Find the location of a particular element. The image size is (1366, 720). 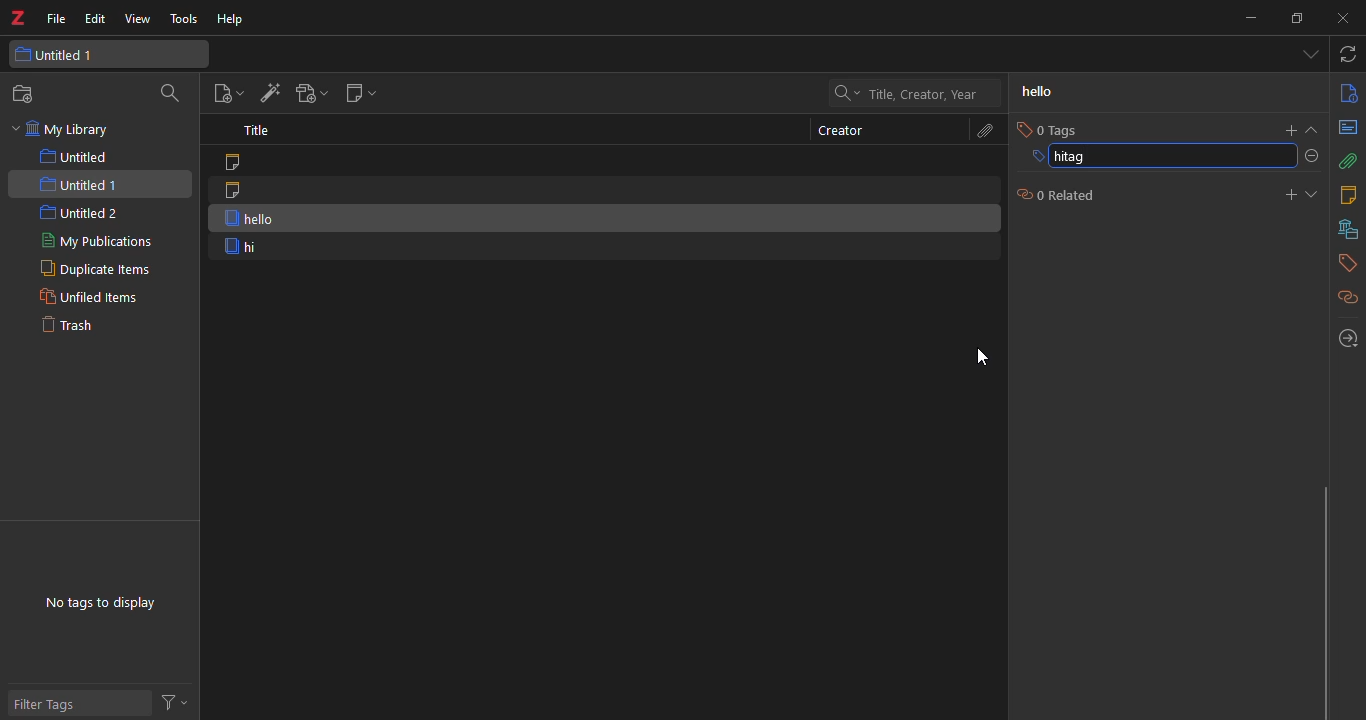

add attach is located at coordinates (311, 92).